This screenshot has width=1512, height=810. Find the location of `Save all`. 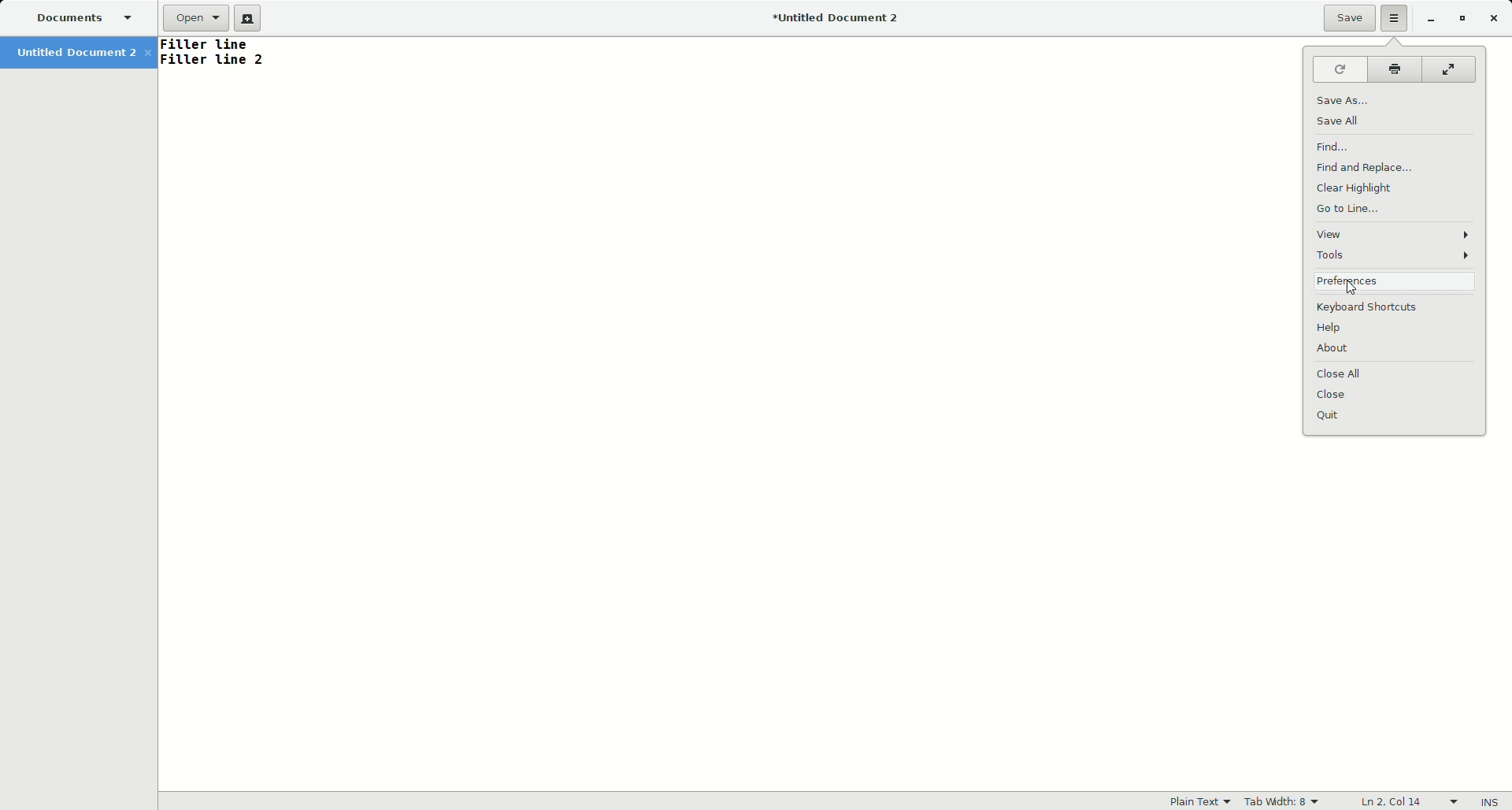

Save all is located at coordinates (1343, 121).